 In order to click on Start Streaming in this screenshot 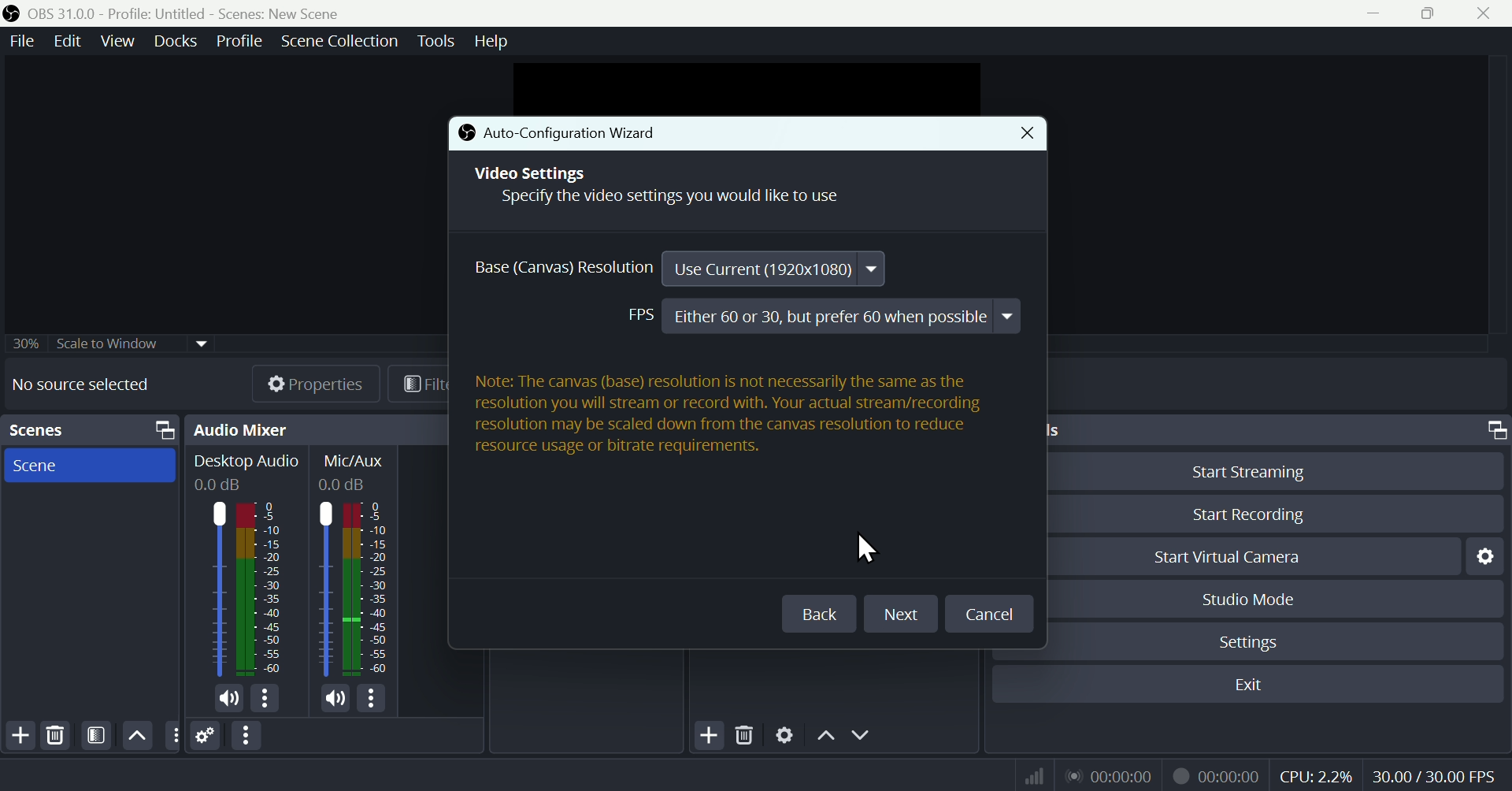, I will do `click(1271, 469)`.